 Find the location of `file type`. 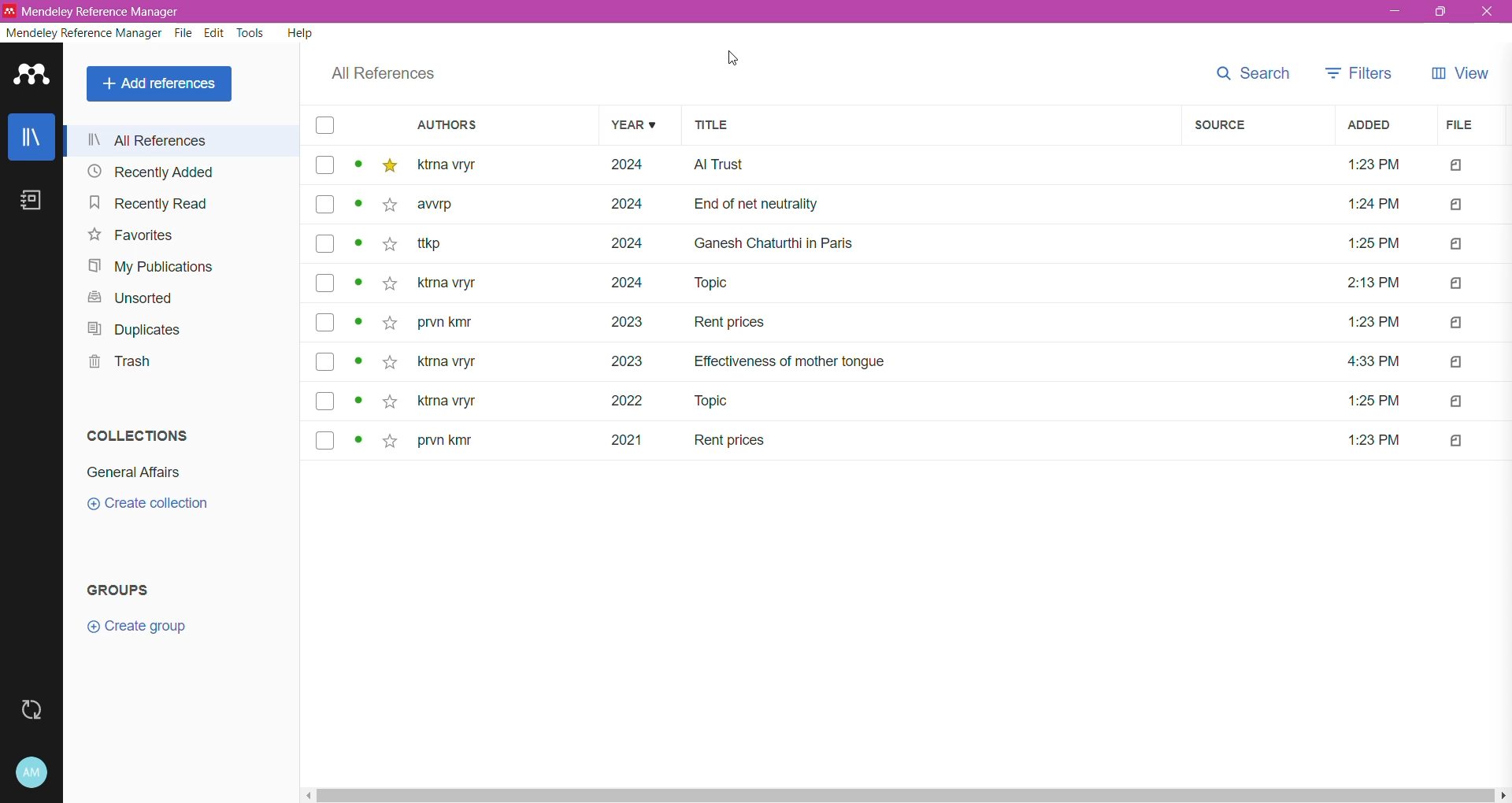

file type is located at coordinates (1458, 440).